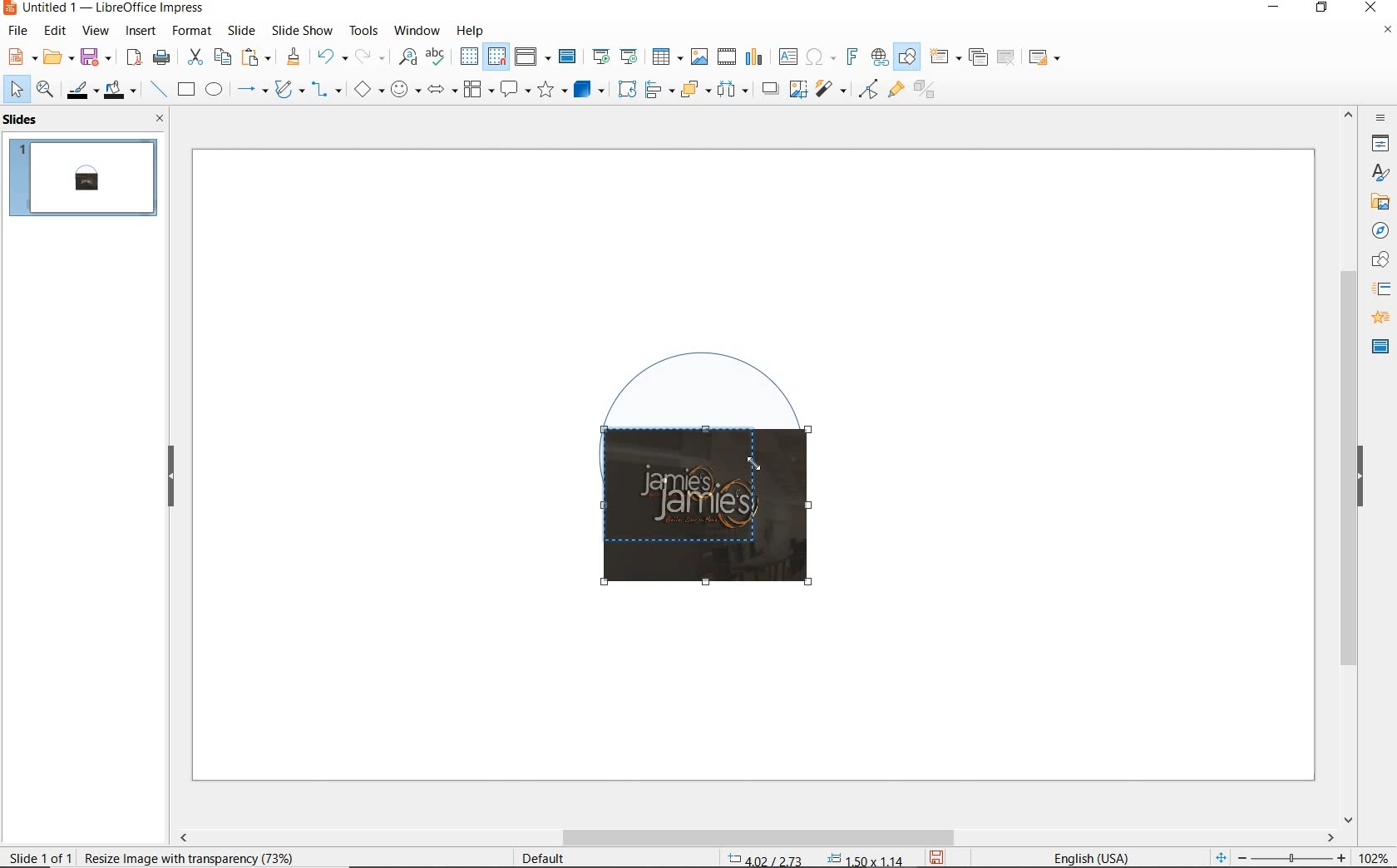 The image size is (1397, 868). I want to click on new slide, so click(945, 57).